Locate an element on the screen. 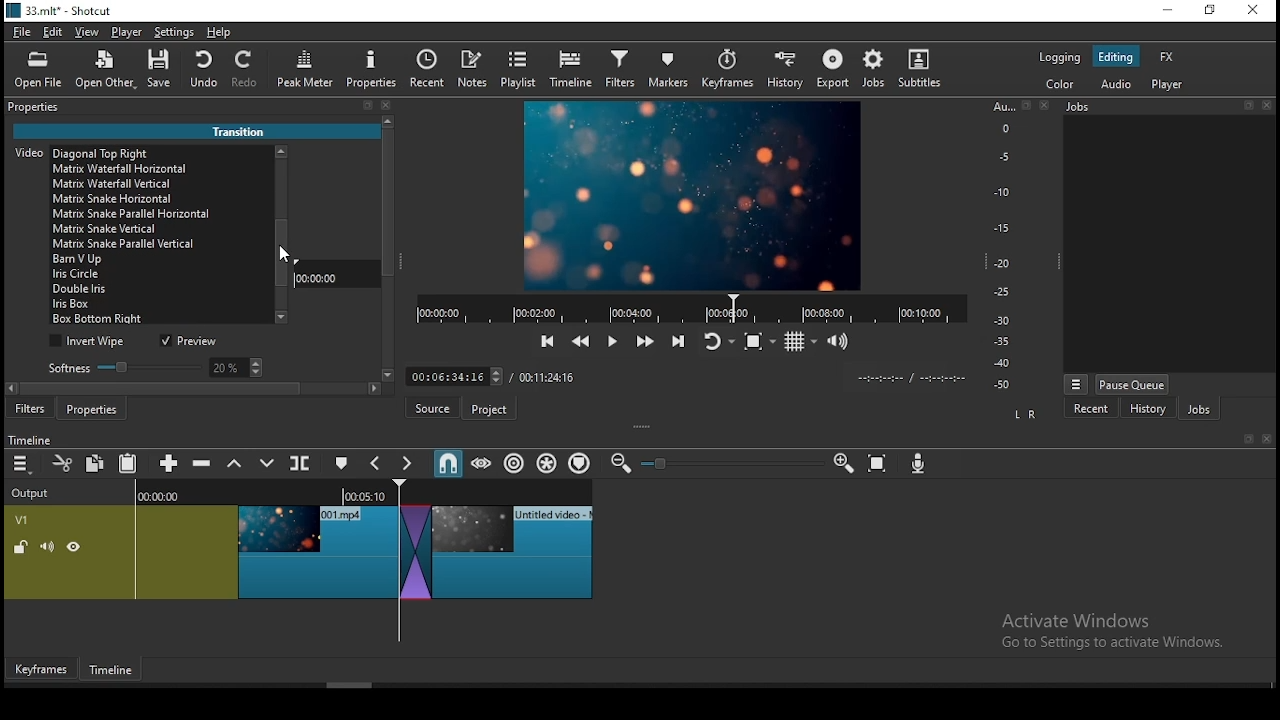  play/pause is located at coordinates (610, 345).